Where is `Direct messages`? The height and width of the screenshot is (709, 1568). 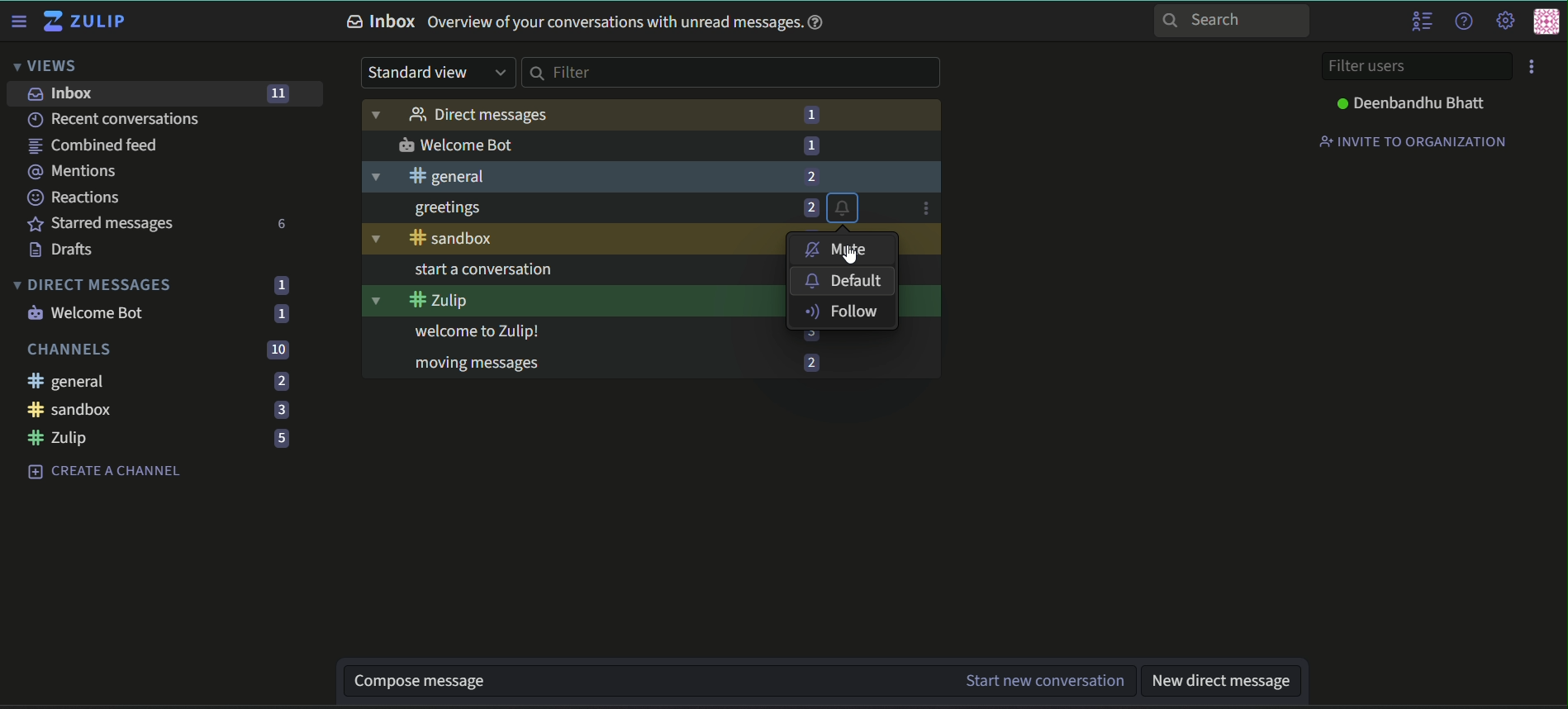
Direct messages is located at coordinates (580, 115).